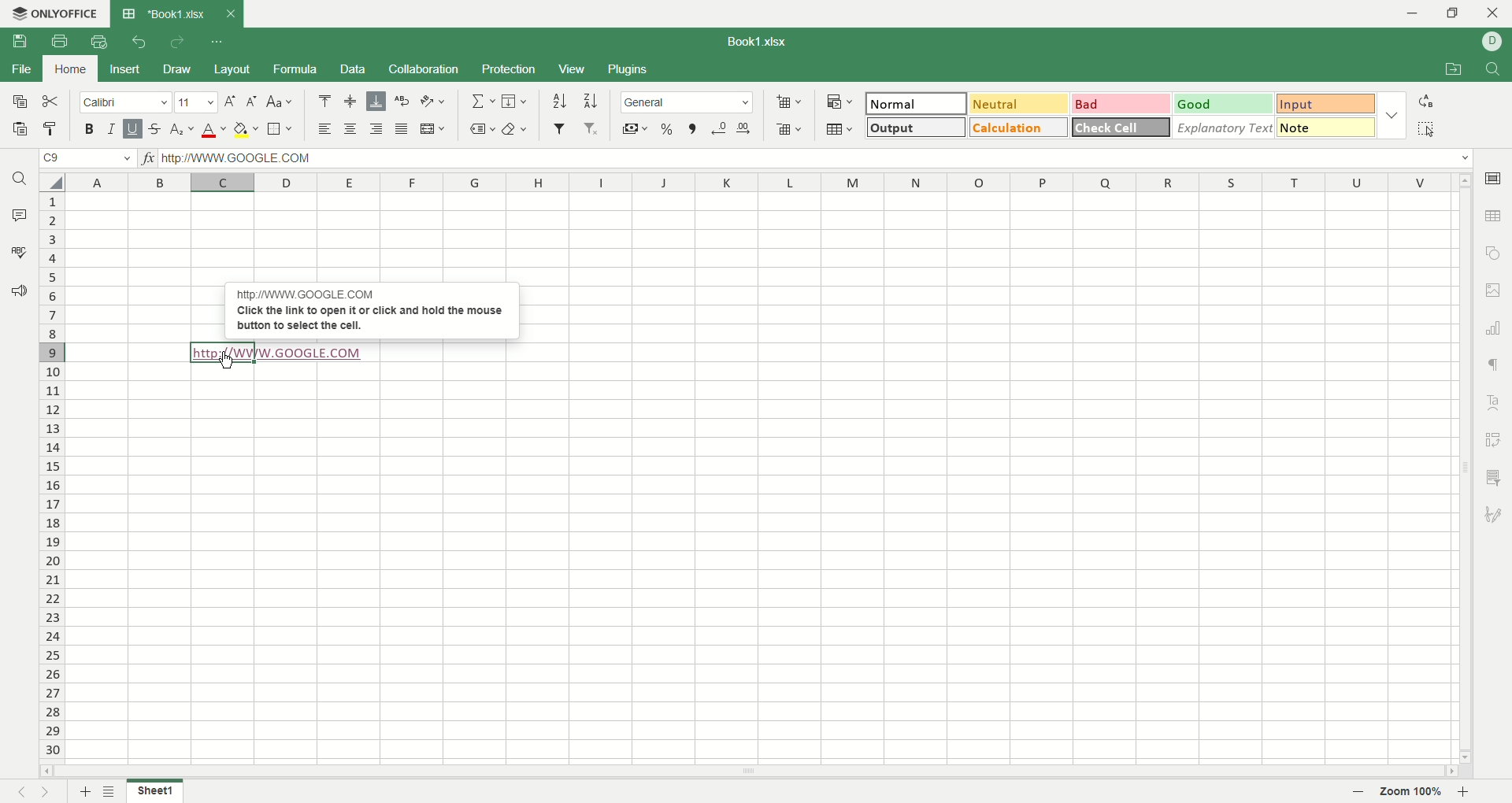 The height and width of the screenshot is (803, 1512). I want to click on vertical scroll bar, so click(1466, 468).